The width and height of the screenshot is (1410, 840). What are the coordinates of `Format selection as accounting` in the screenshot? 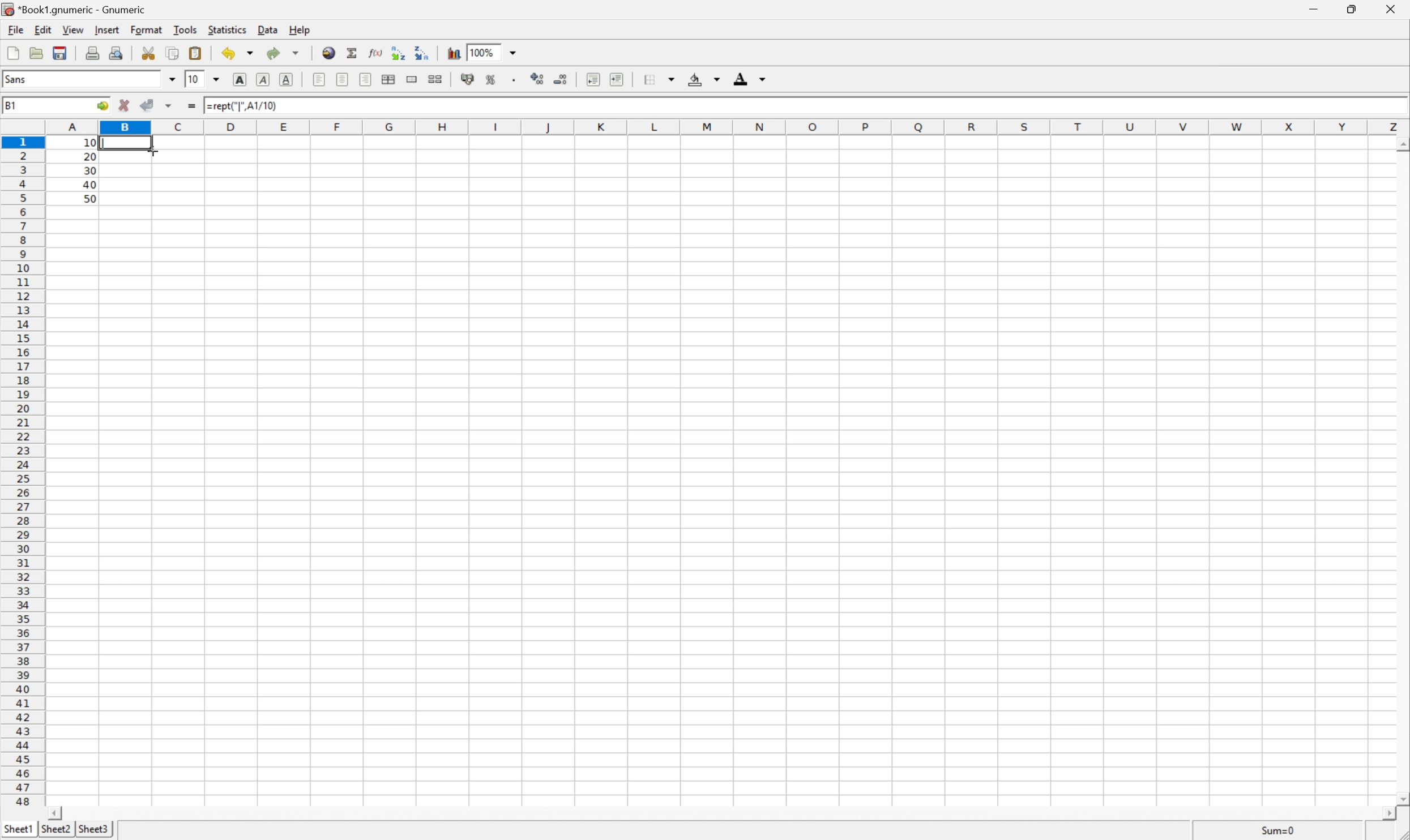 It's located at (468, 78).